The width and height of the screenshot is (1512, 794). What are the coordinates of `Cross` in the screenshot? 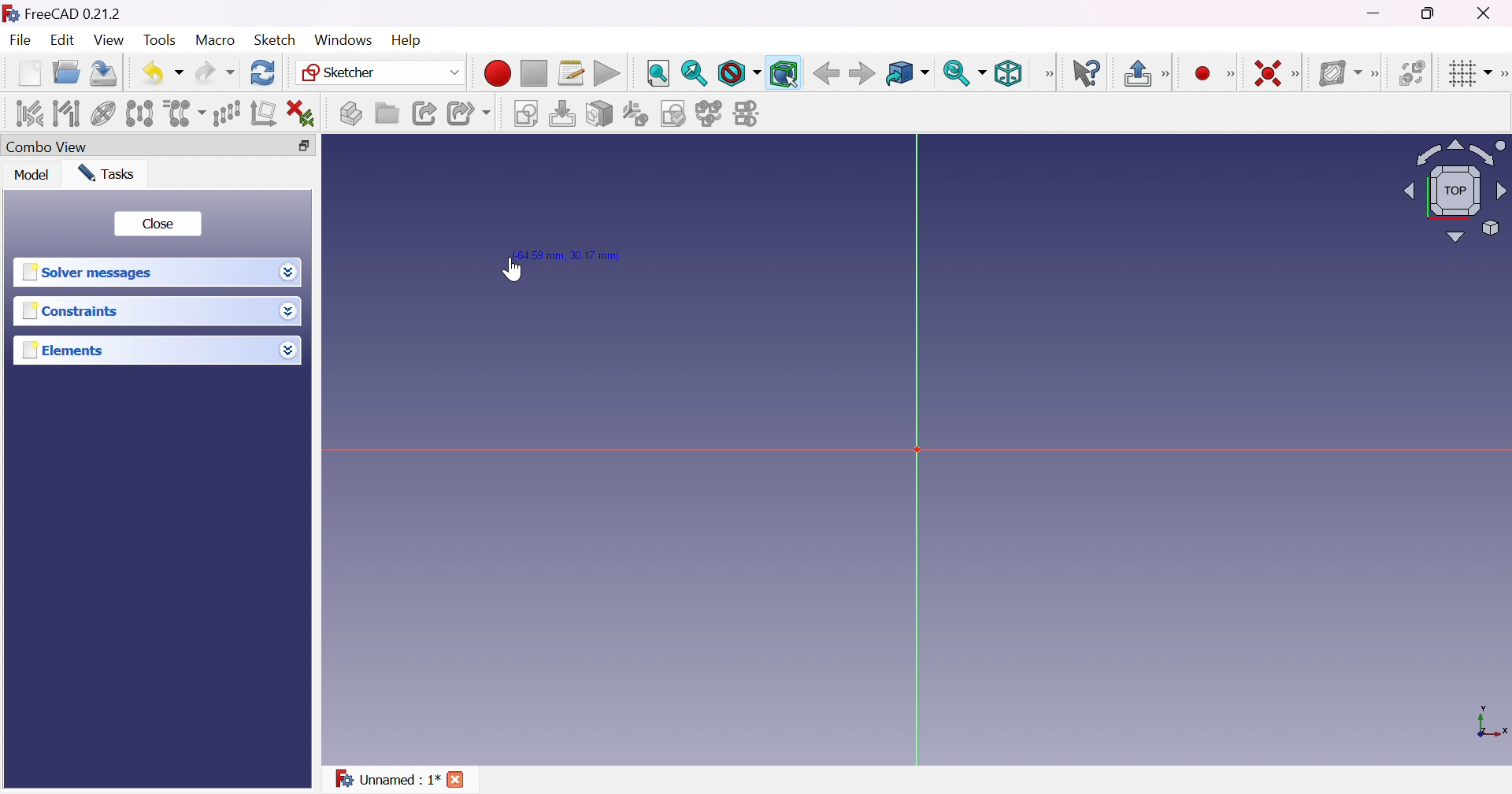 It's located at (454, 779).